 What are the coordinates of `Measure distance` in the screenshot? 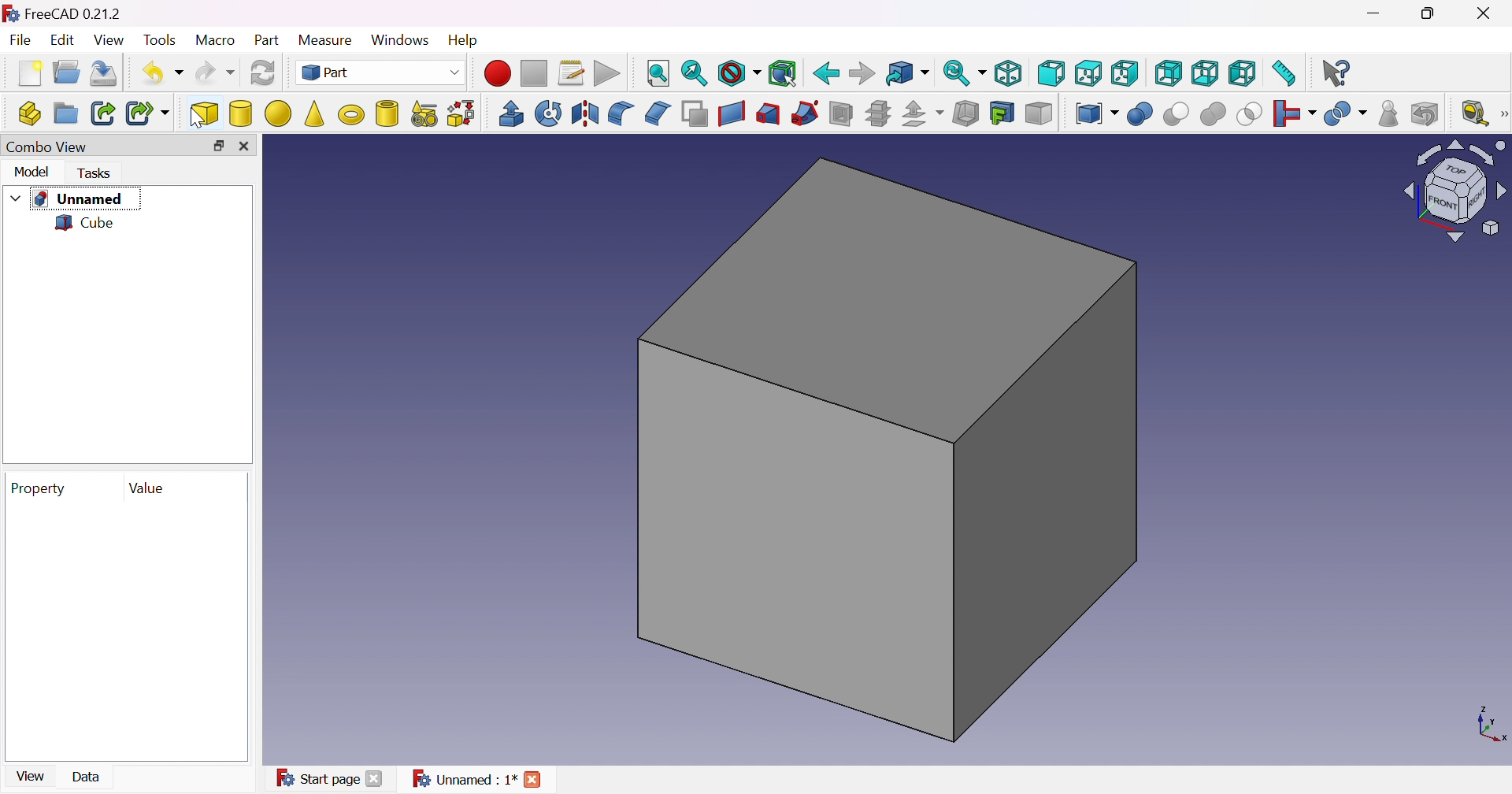 It's located at (1284, 74).